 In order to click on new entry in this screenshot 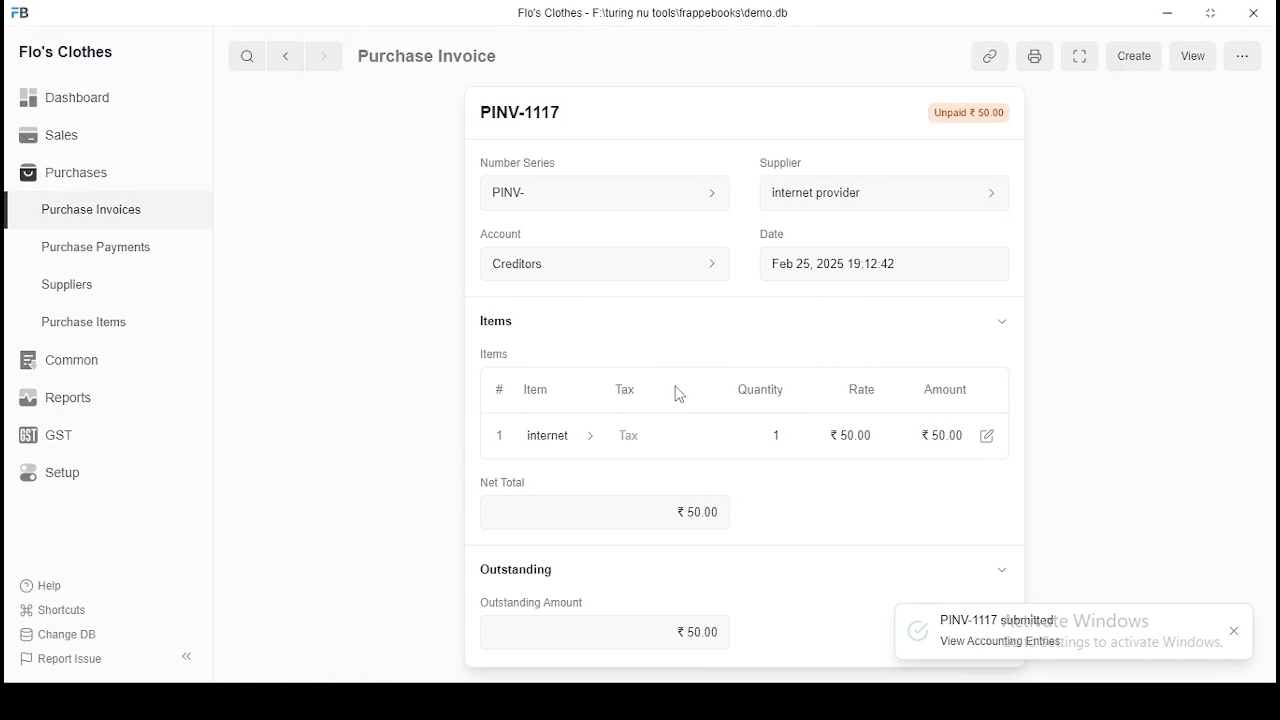, I will do `click(520, 112)`.